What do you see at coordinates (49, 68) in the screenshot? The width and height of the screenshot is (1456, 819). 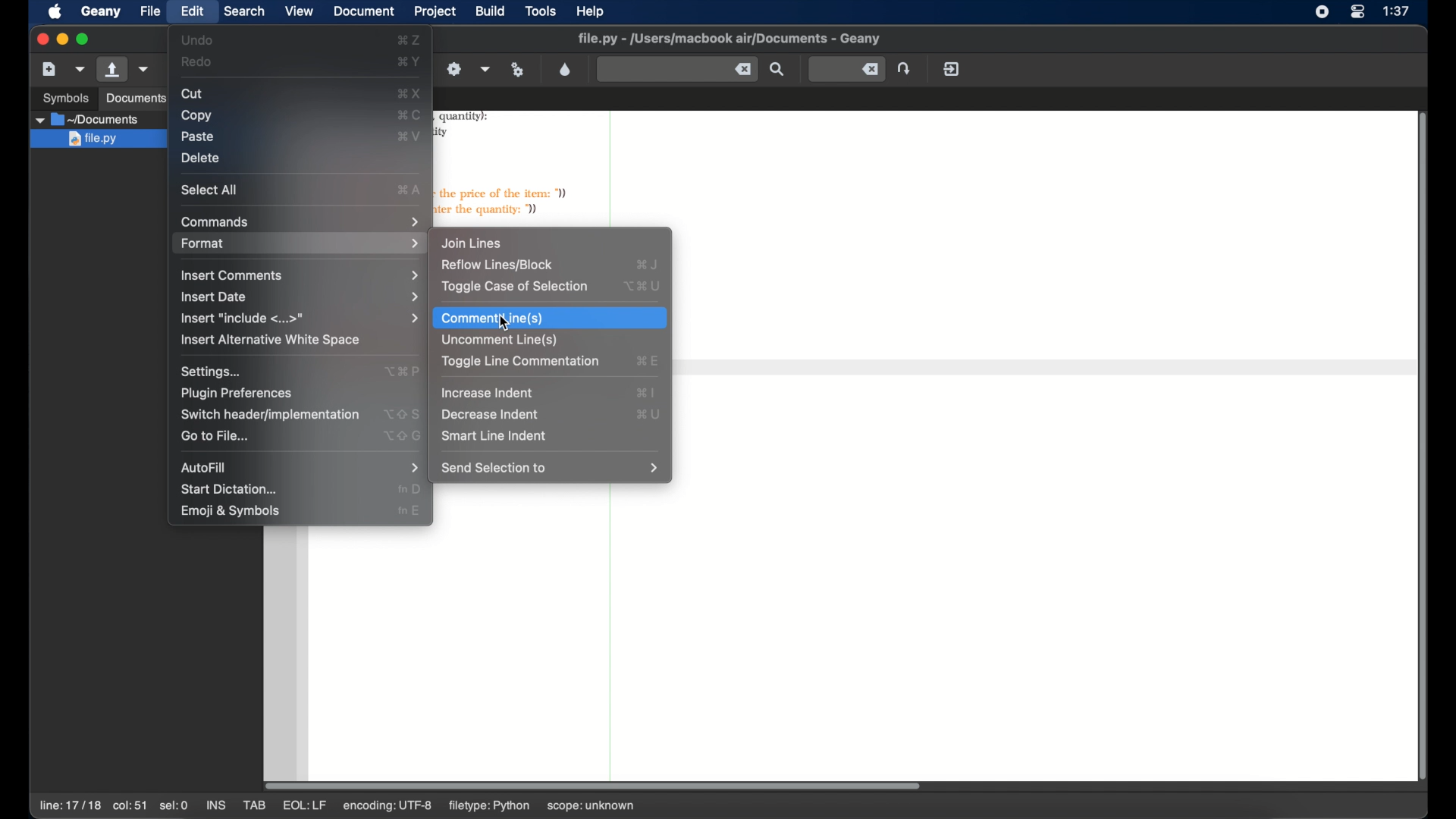 I see `new file` at bounding box center [49, 68].